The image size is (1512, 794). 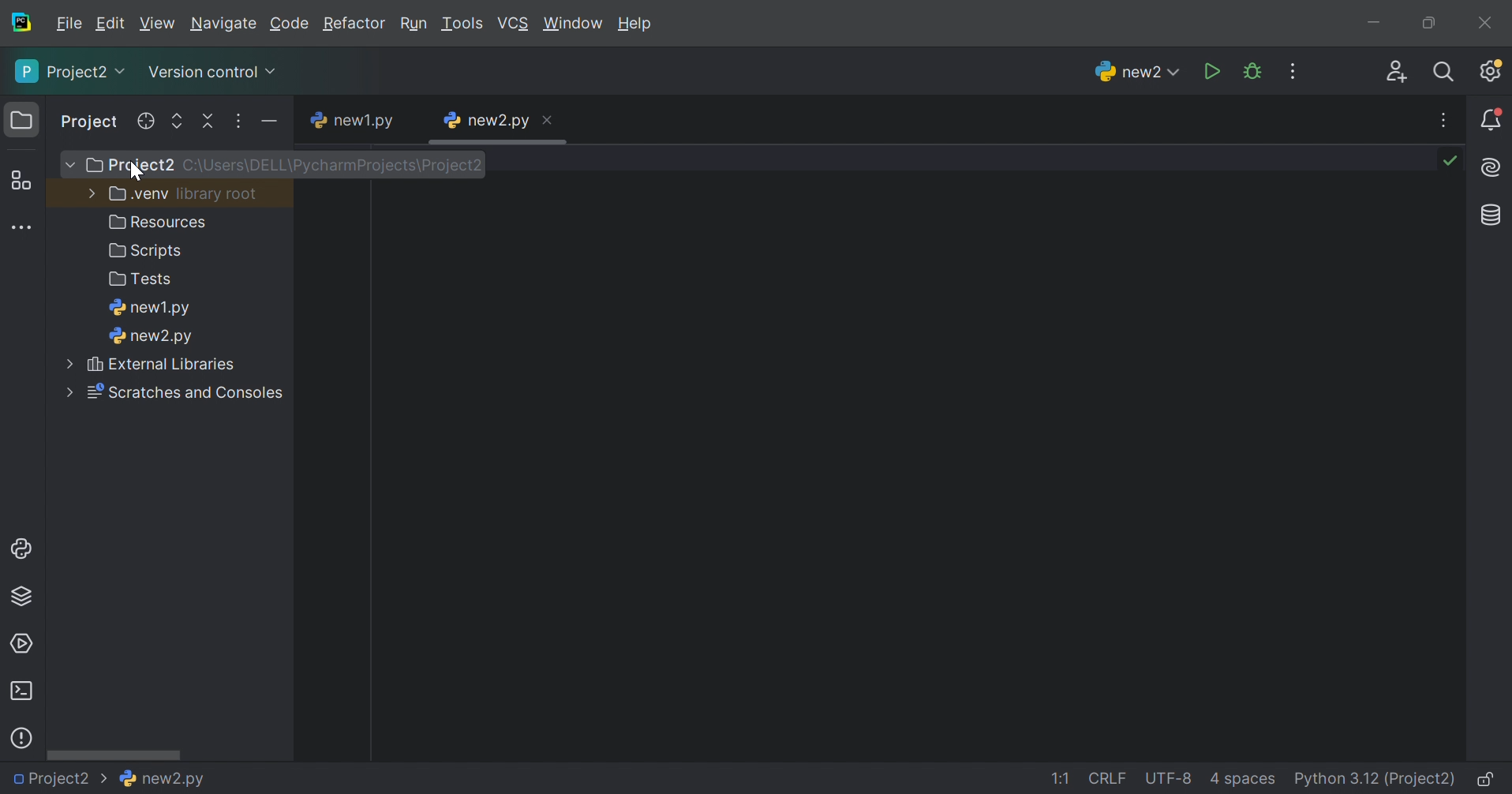 I want to click on Scripts, so click(x=147, y=253).